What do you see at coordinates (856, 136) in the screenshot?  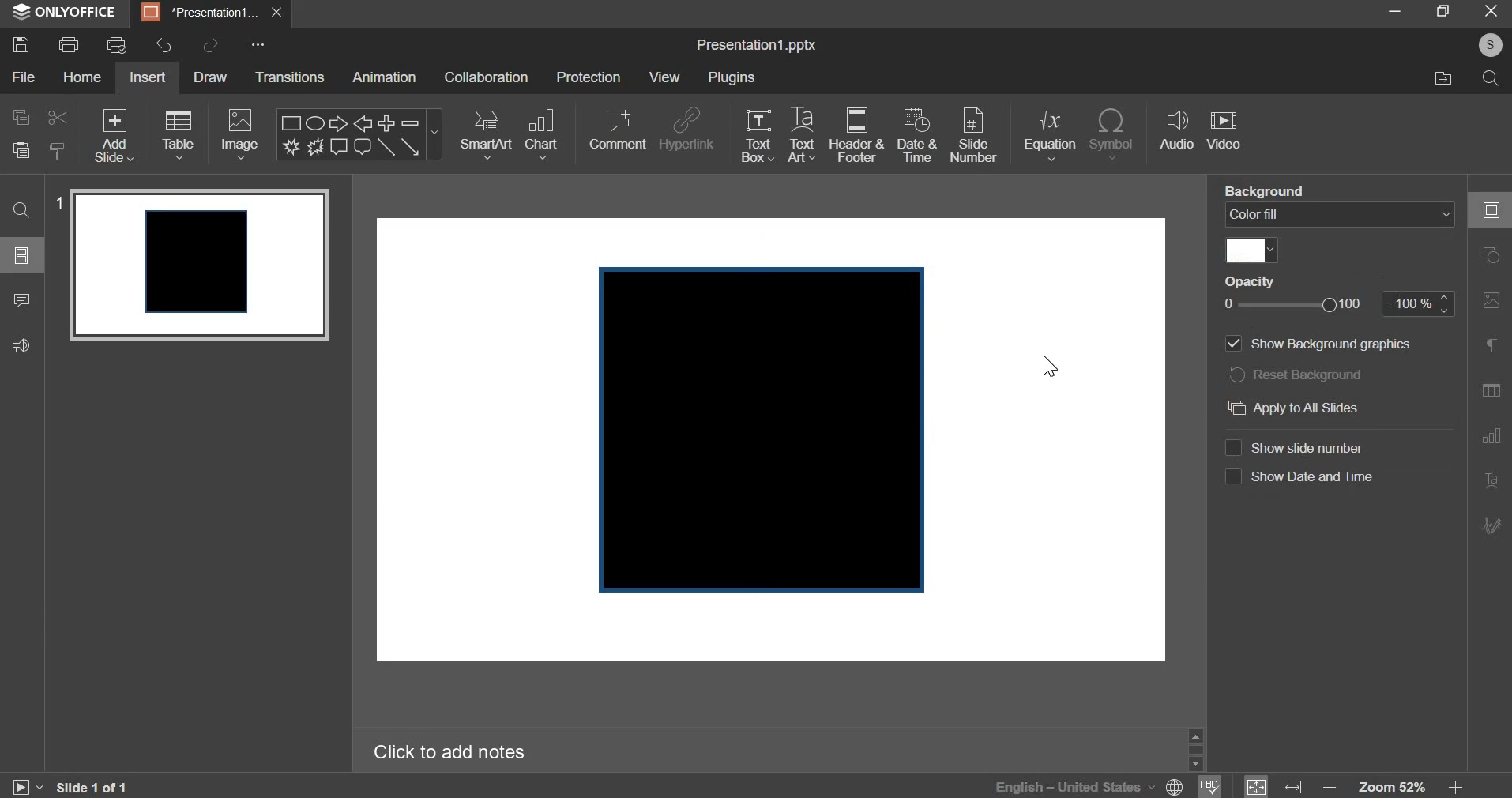 I see `header & footer` at bounding box center [856, 136].